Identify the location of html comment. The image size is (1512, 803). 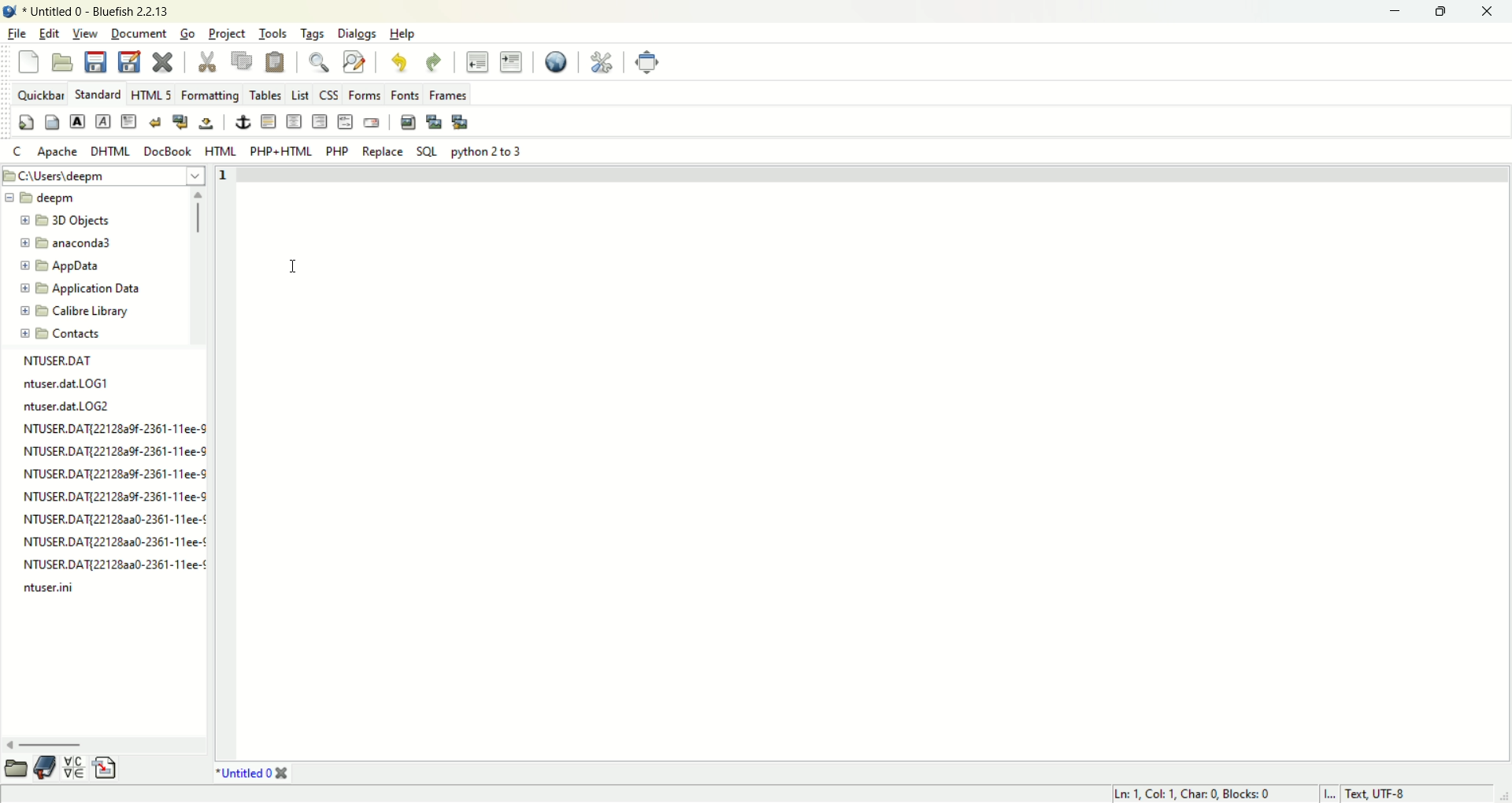
(346, 123).